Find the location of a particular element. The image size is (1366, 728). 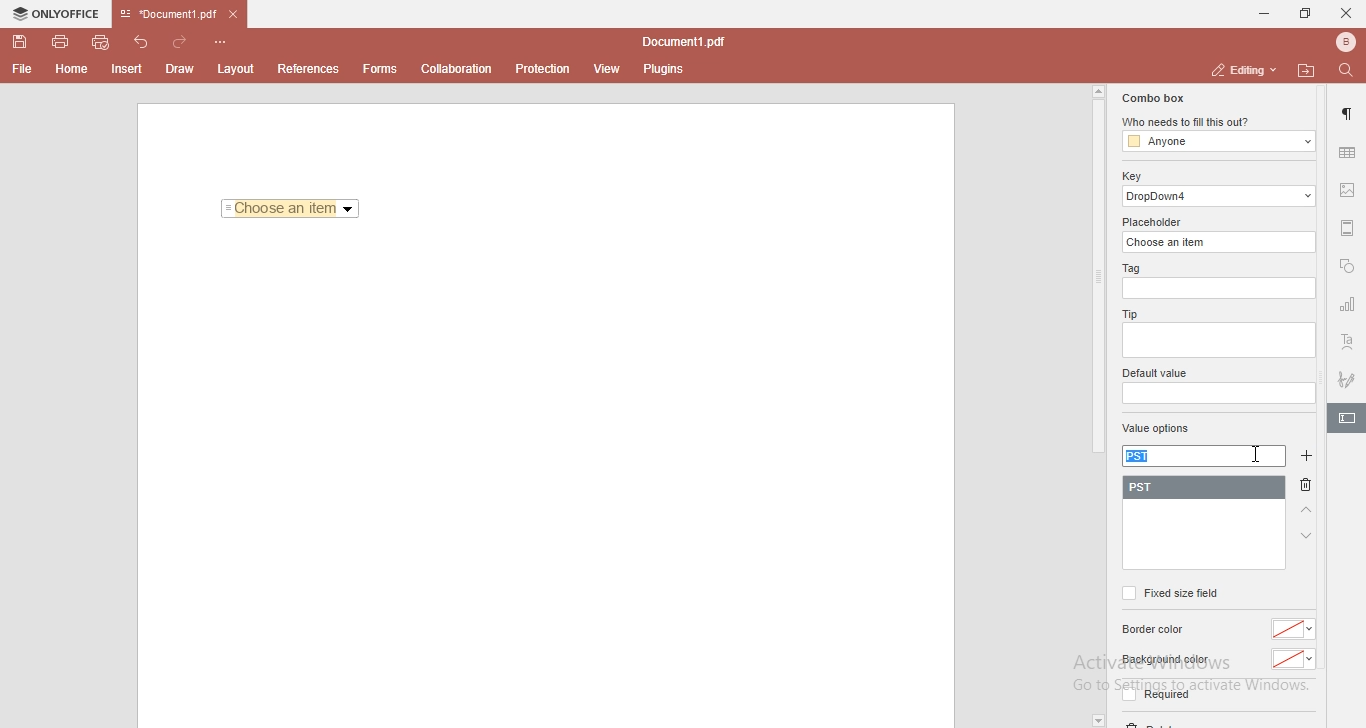

tag is located at coordinates (1129, 269).